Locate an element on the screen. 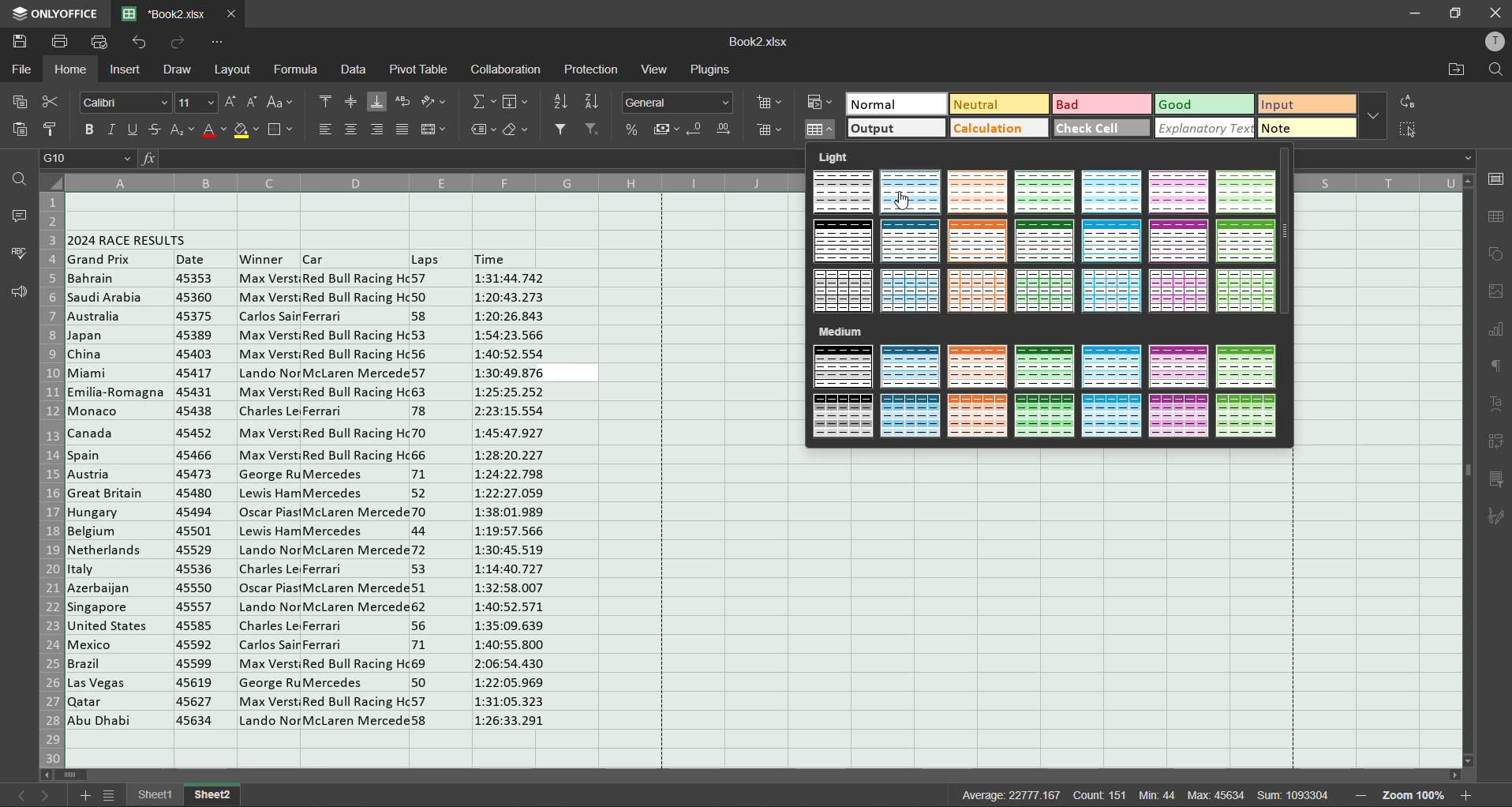 The width and height of the screenshot is (1512, 807). column names is located at coordinates (425, 182).